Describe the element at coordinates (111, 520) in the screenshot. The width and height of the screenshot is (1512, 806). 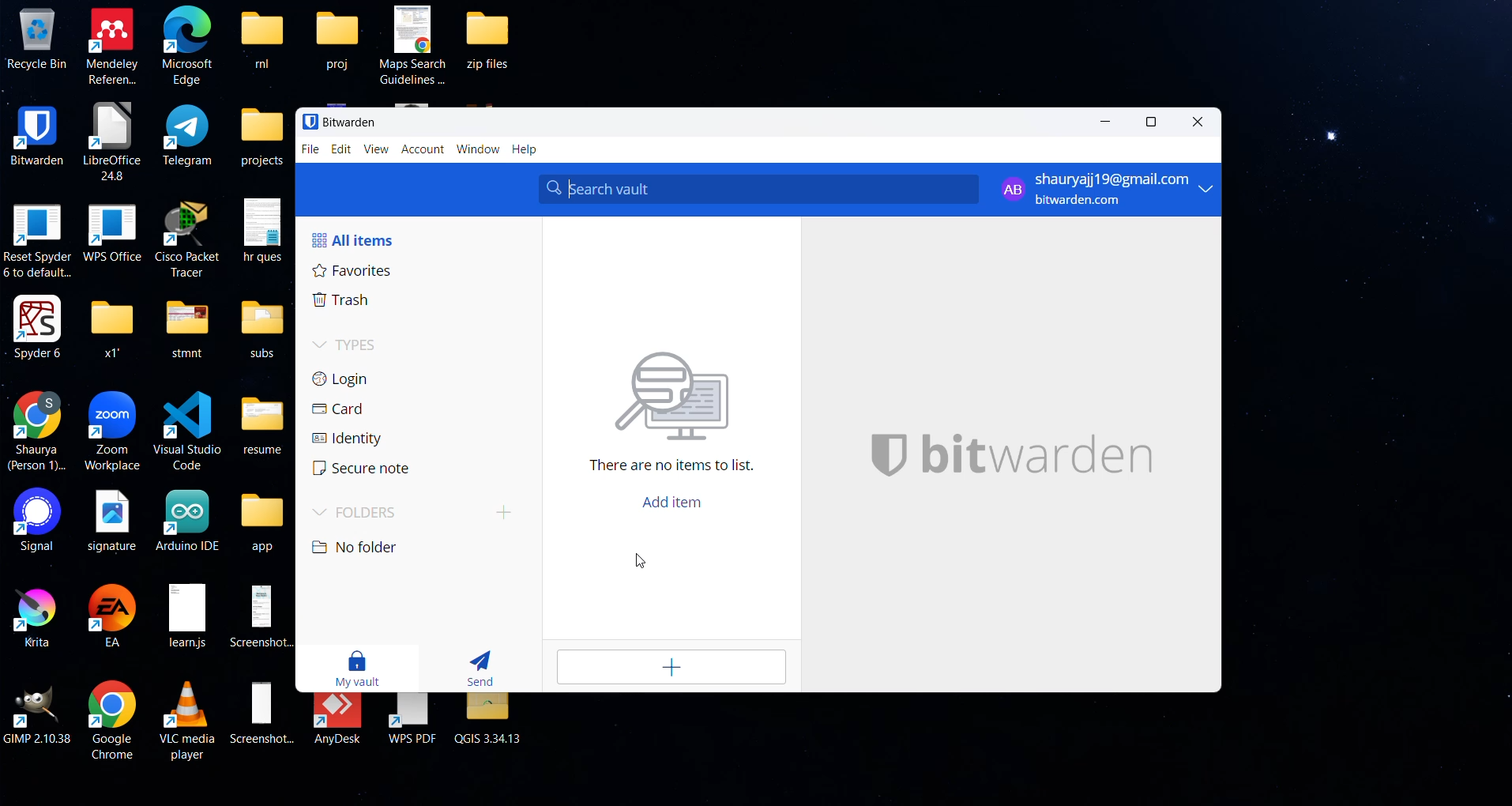
I see `signature` at that location.